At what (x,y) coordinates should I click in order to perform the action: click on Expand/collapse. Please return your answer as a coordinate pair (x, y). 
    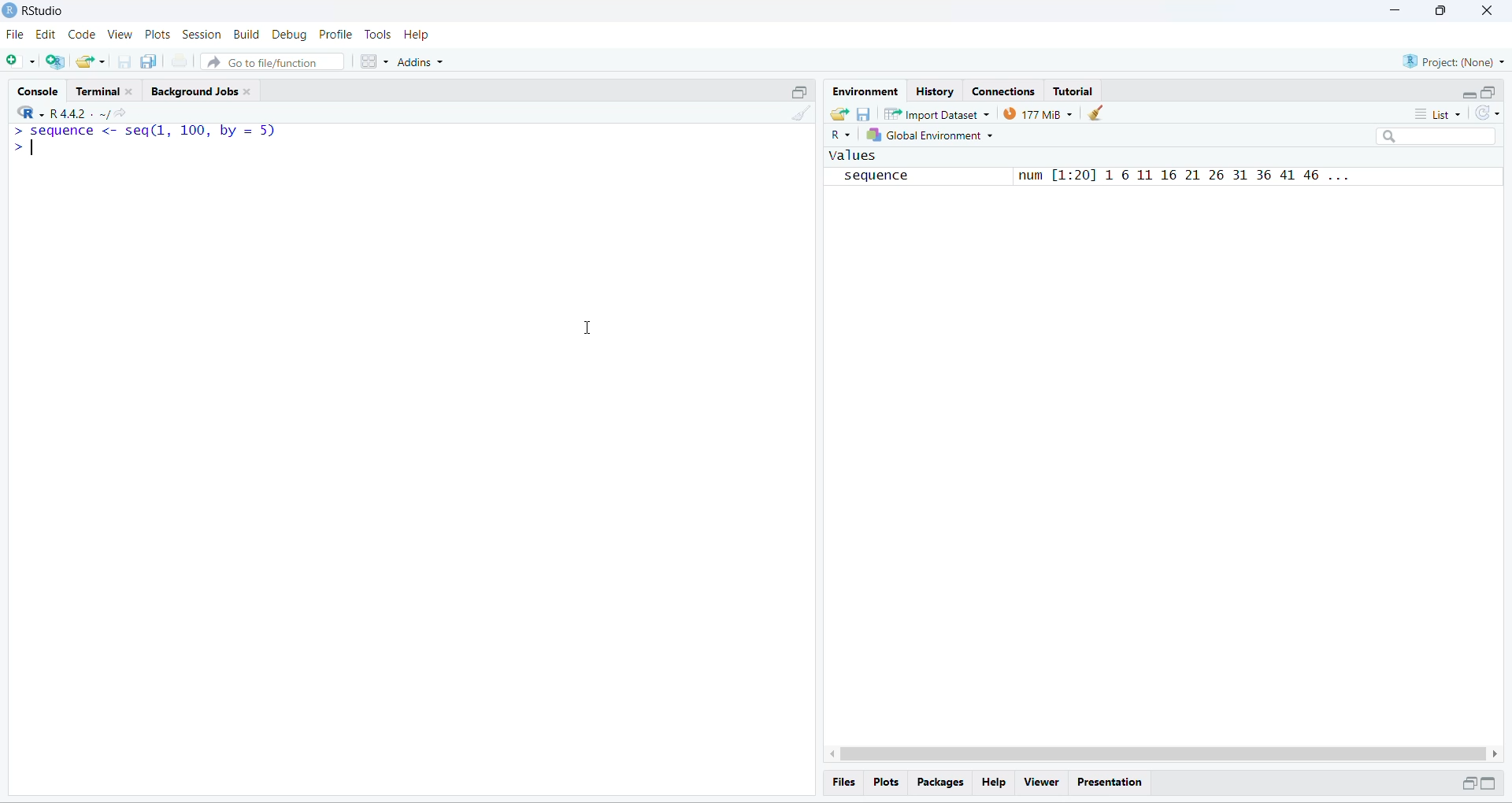
    Looking at the image, I should click on (1488, 783).